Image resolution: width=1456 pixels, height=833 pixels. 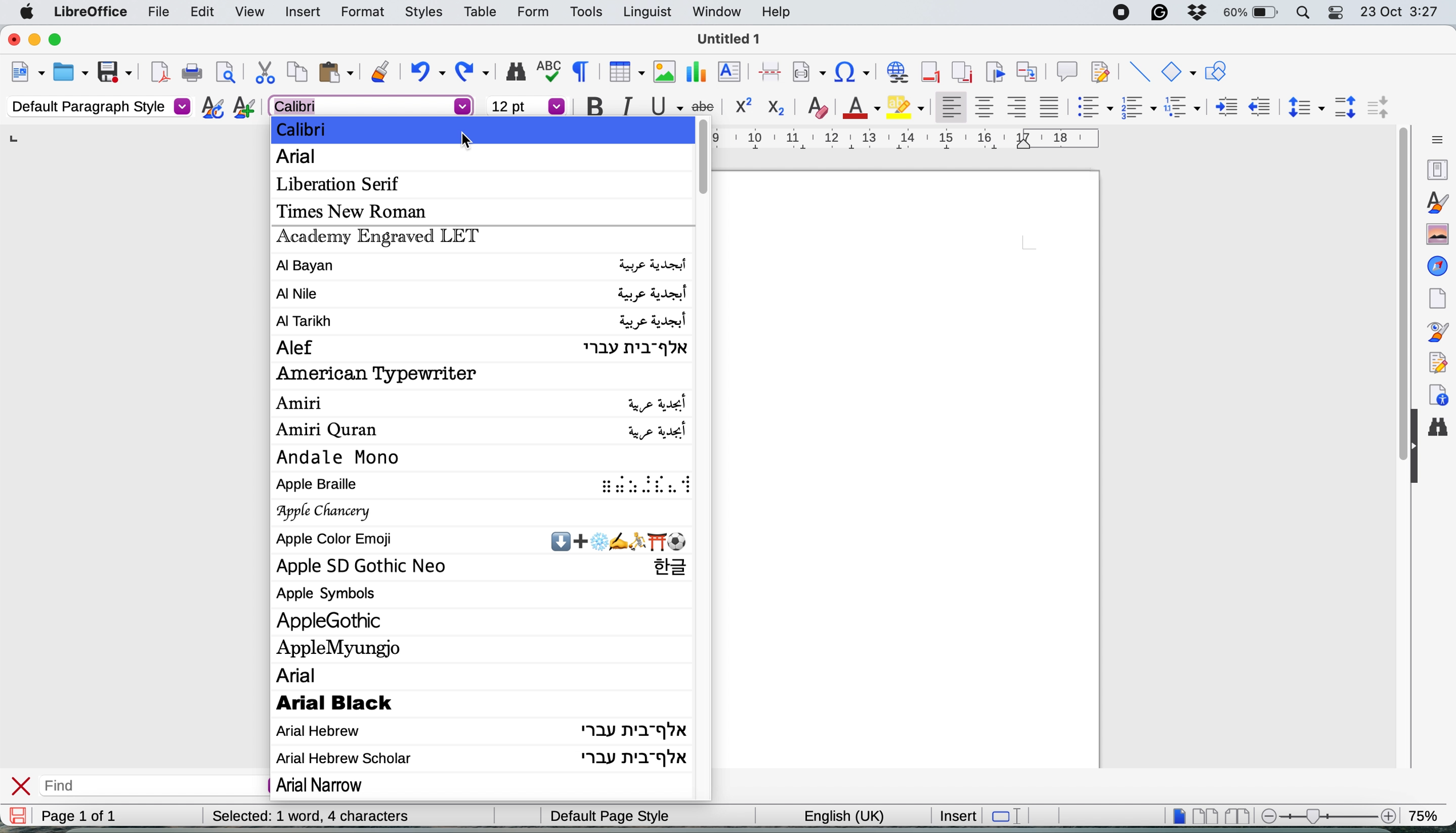 I want to click on control center, so click(x=1338, y=14).